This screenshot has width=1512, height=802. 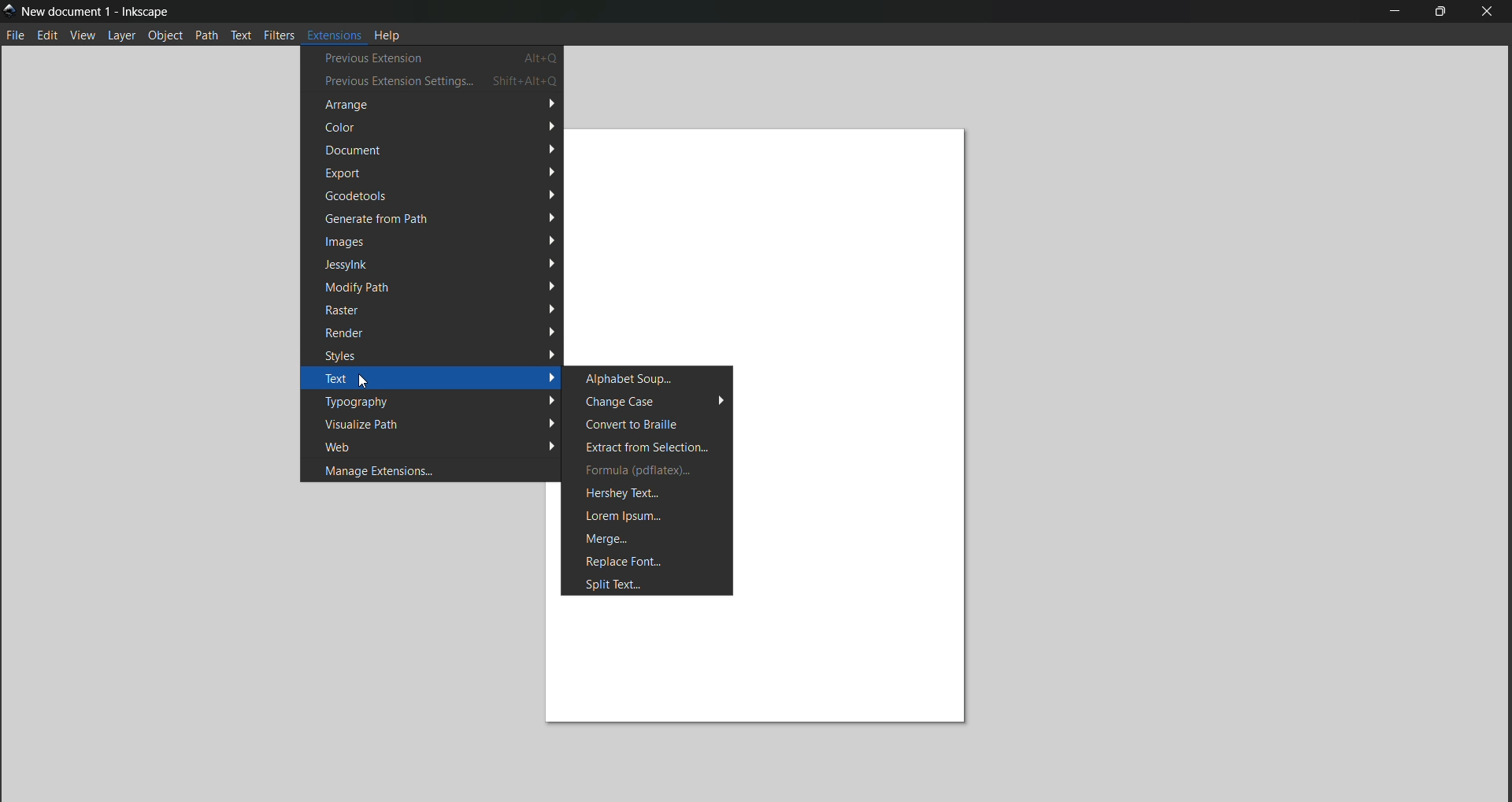 I want to click on arrange, so click(x=432, y=105).